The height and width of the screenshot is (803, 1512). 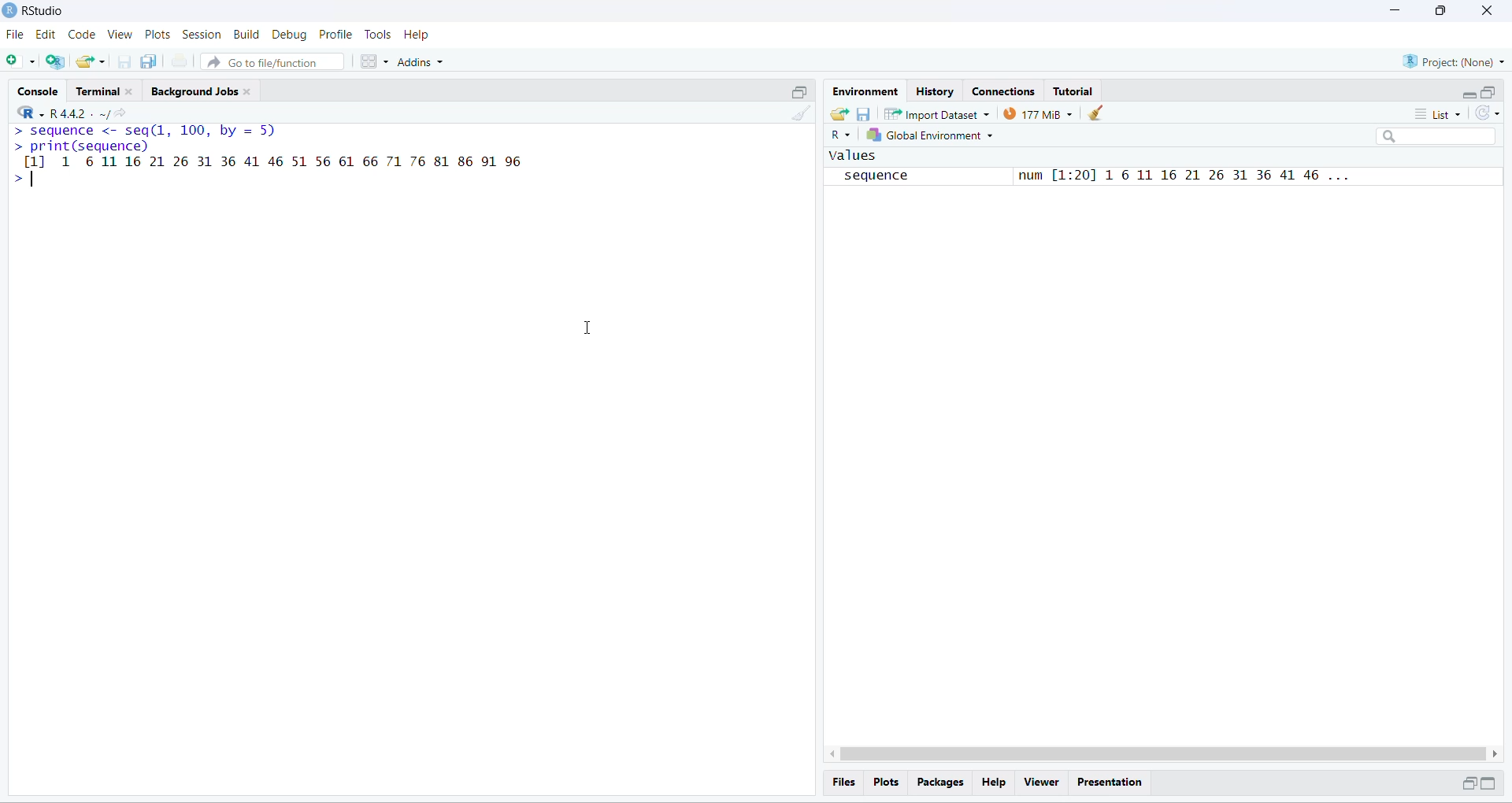 I want to click on RStudio, so click(x=45, y=10).